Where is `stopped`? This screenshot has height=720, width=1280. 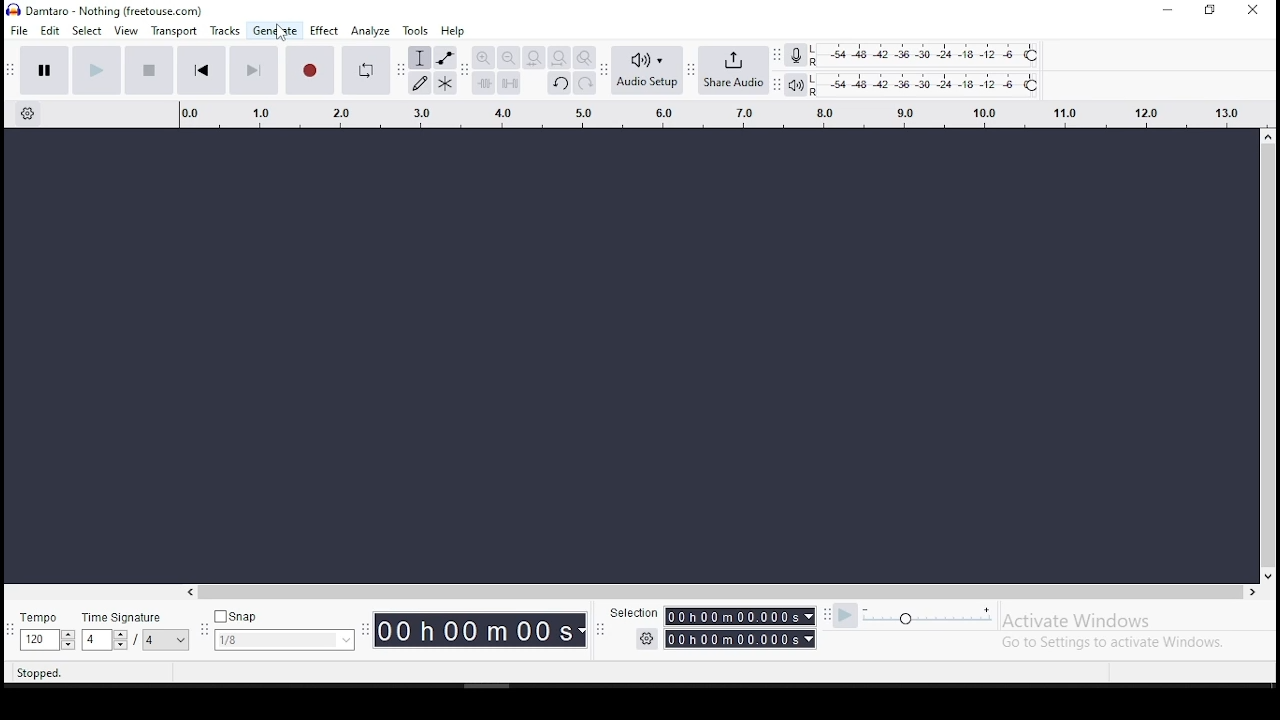
stopped is located at coordinates (37, 674).